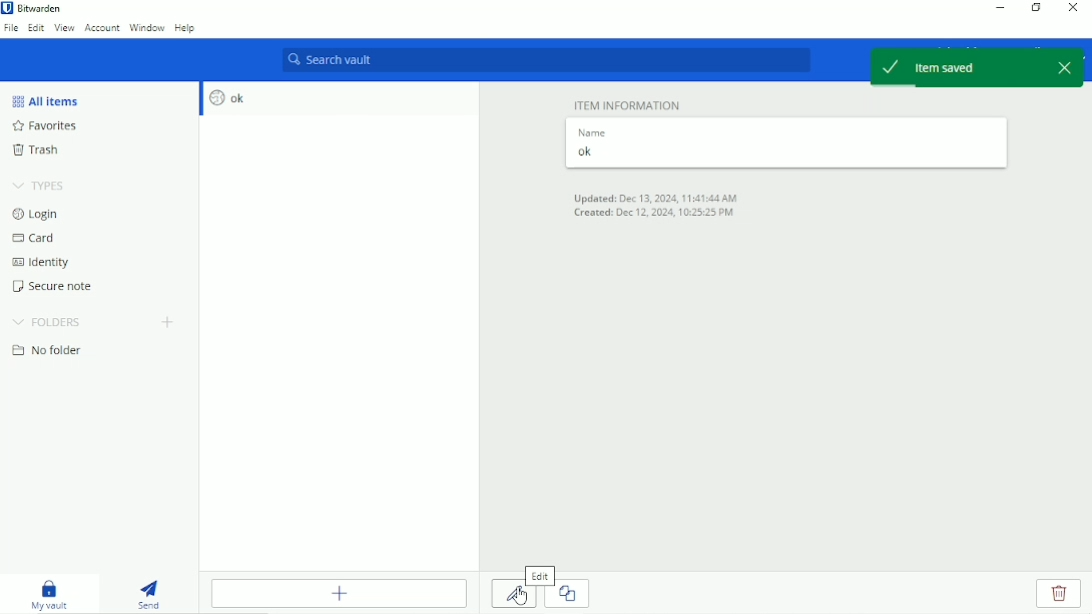 The height and width of the screenshot is (614, 1092). What do you see at coordinates (151, 591) in the screenshot?
I see `Send` at bounding box center [151, 591].